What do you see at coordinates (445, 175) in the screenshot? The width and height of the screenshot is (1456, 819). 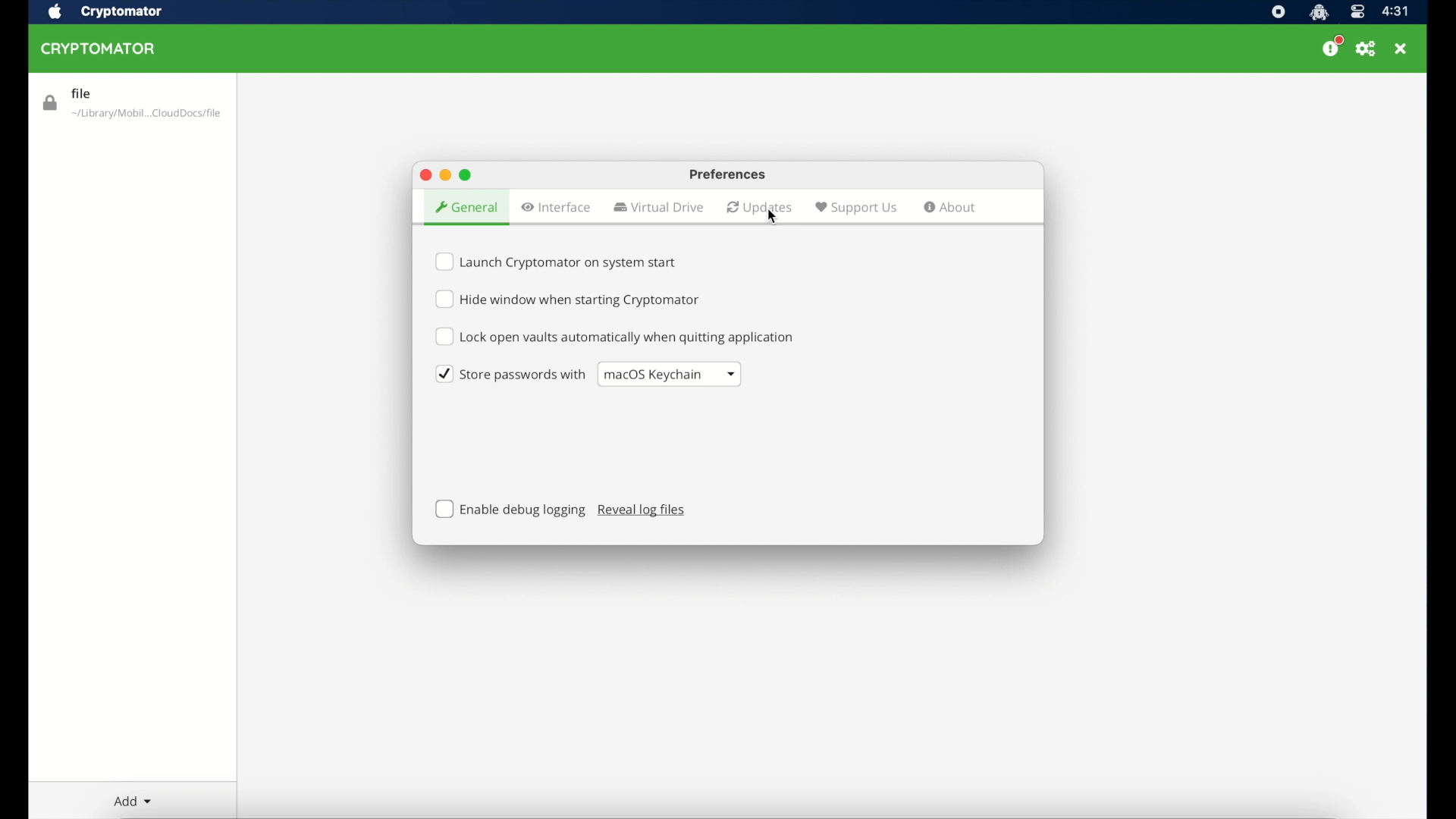 I see `minimize` at bounding box center [445, 175].